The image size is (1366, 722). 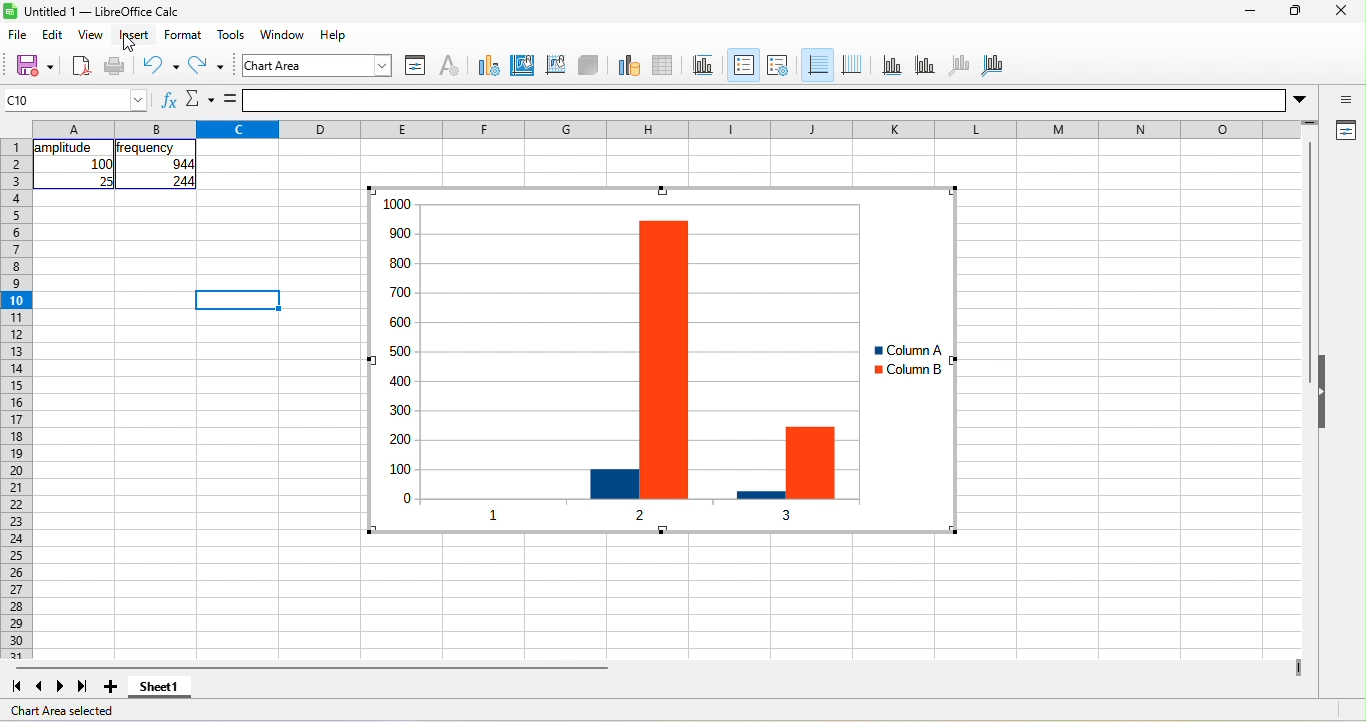 What do you see at coordinates (15, 399) in the screenshot?
I see `rows` at bounding box center [15, 399].